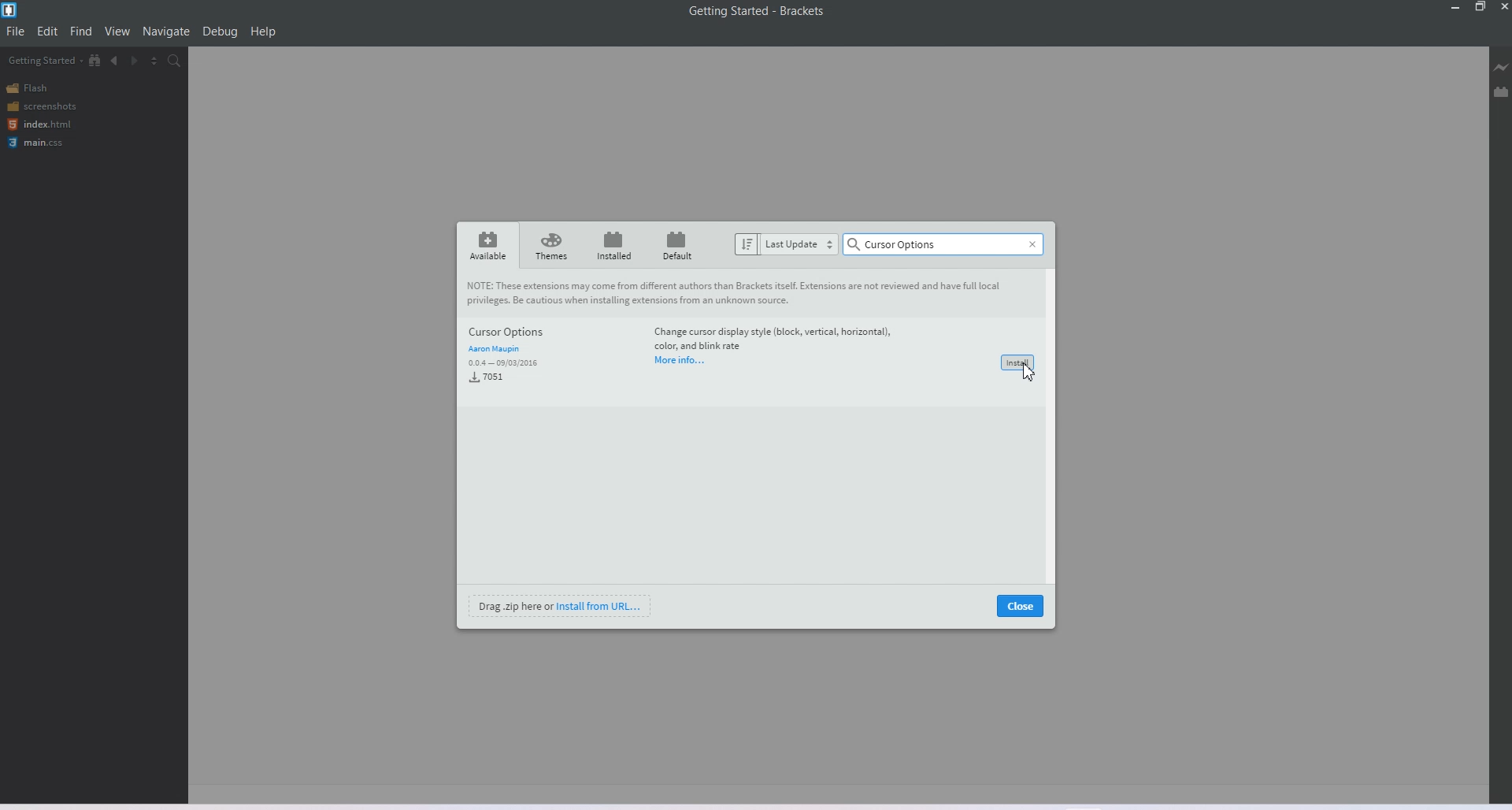  Describe the element at coordinates (744, 293) in the screenshot. I see `note about extension to users` at that location.